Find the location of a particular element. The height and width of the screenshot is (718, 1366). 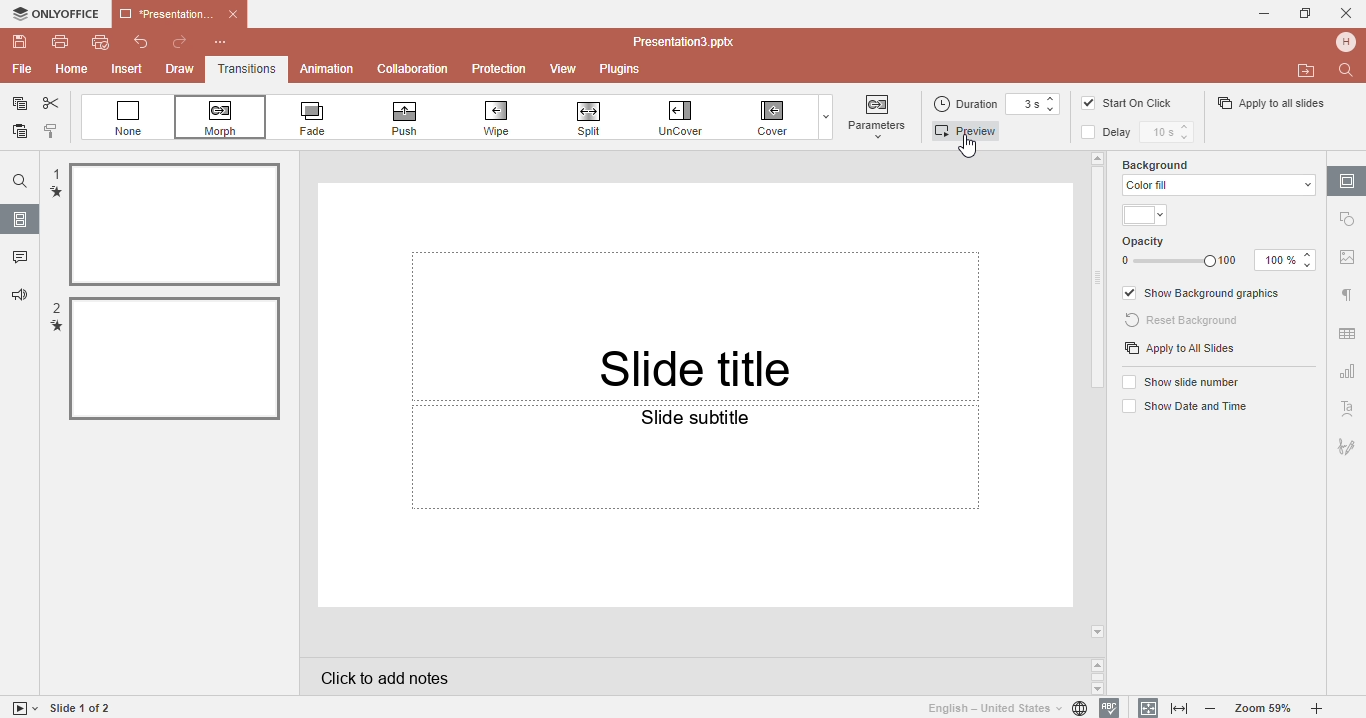

transition mark is located at coordinates (57, 328).